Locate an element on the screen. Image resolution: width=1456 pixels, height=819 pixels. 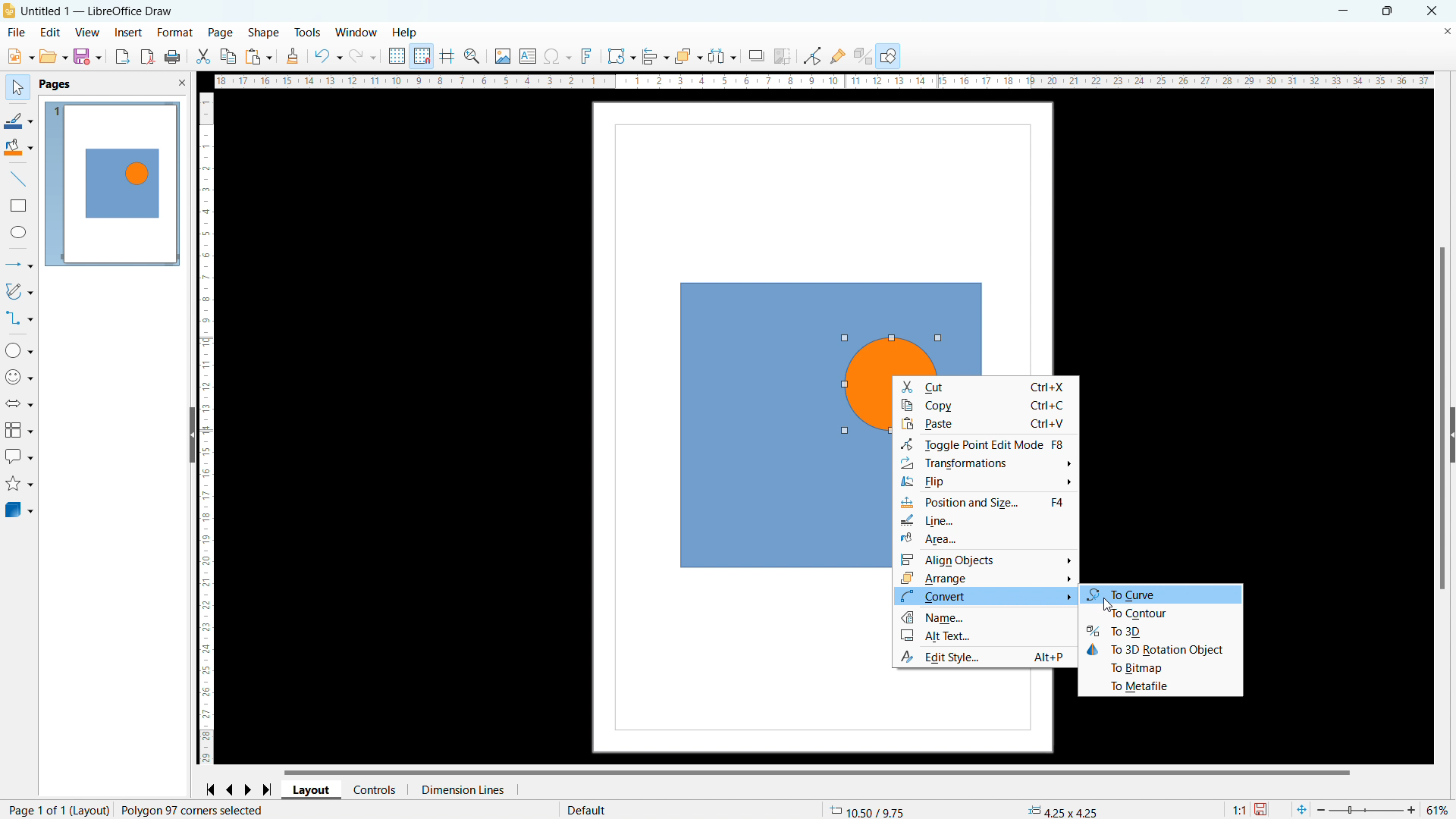
Edit Style is located at coordinates (981, 655).